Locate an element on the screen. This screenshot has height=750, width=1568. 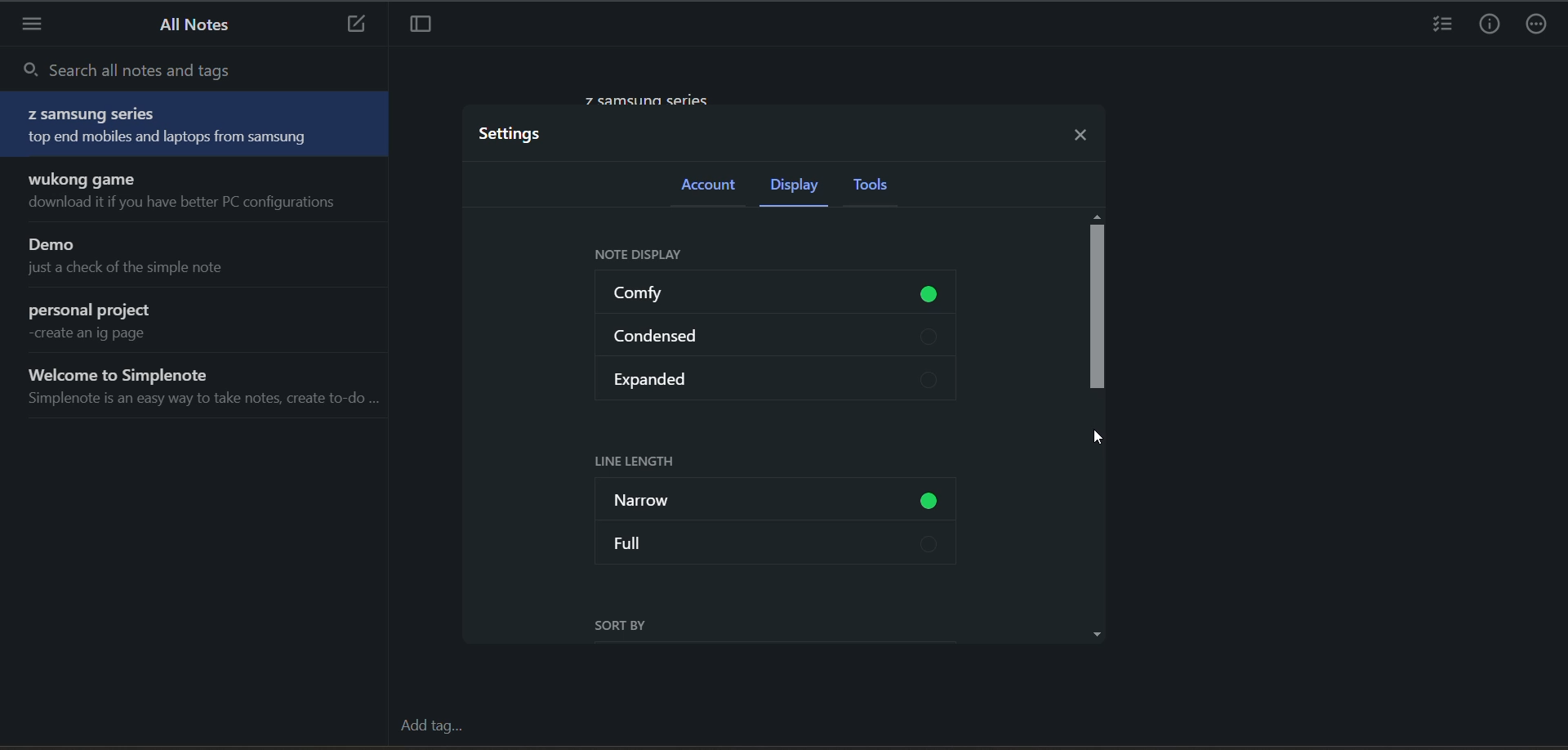
sort by is located at coordinates (632, 630).